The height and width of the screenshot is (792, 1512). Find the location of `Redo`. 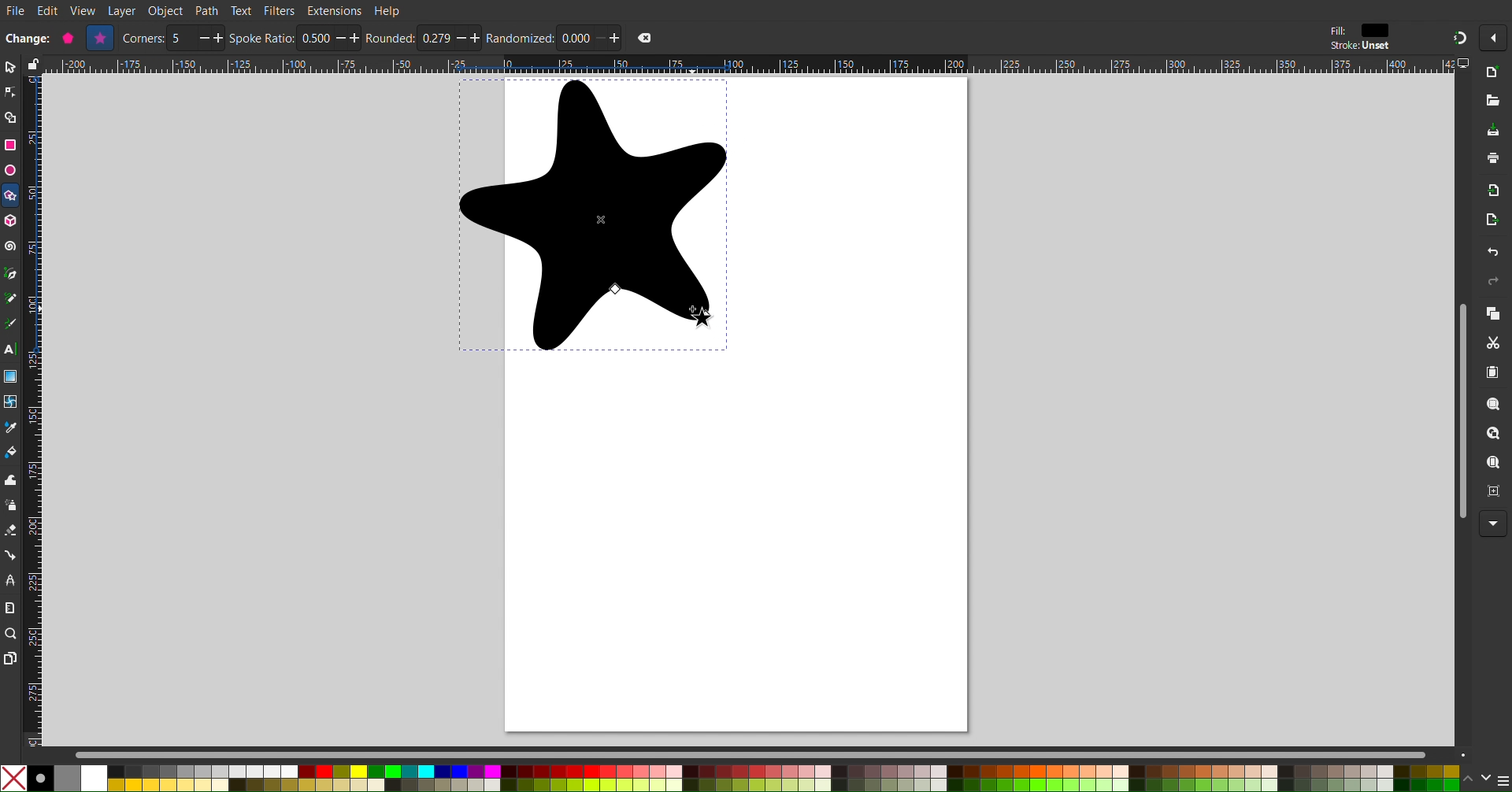

Redo is located at coordinates (1491, 283).